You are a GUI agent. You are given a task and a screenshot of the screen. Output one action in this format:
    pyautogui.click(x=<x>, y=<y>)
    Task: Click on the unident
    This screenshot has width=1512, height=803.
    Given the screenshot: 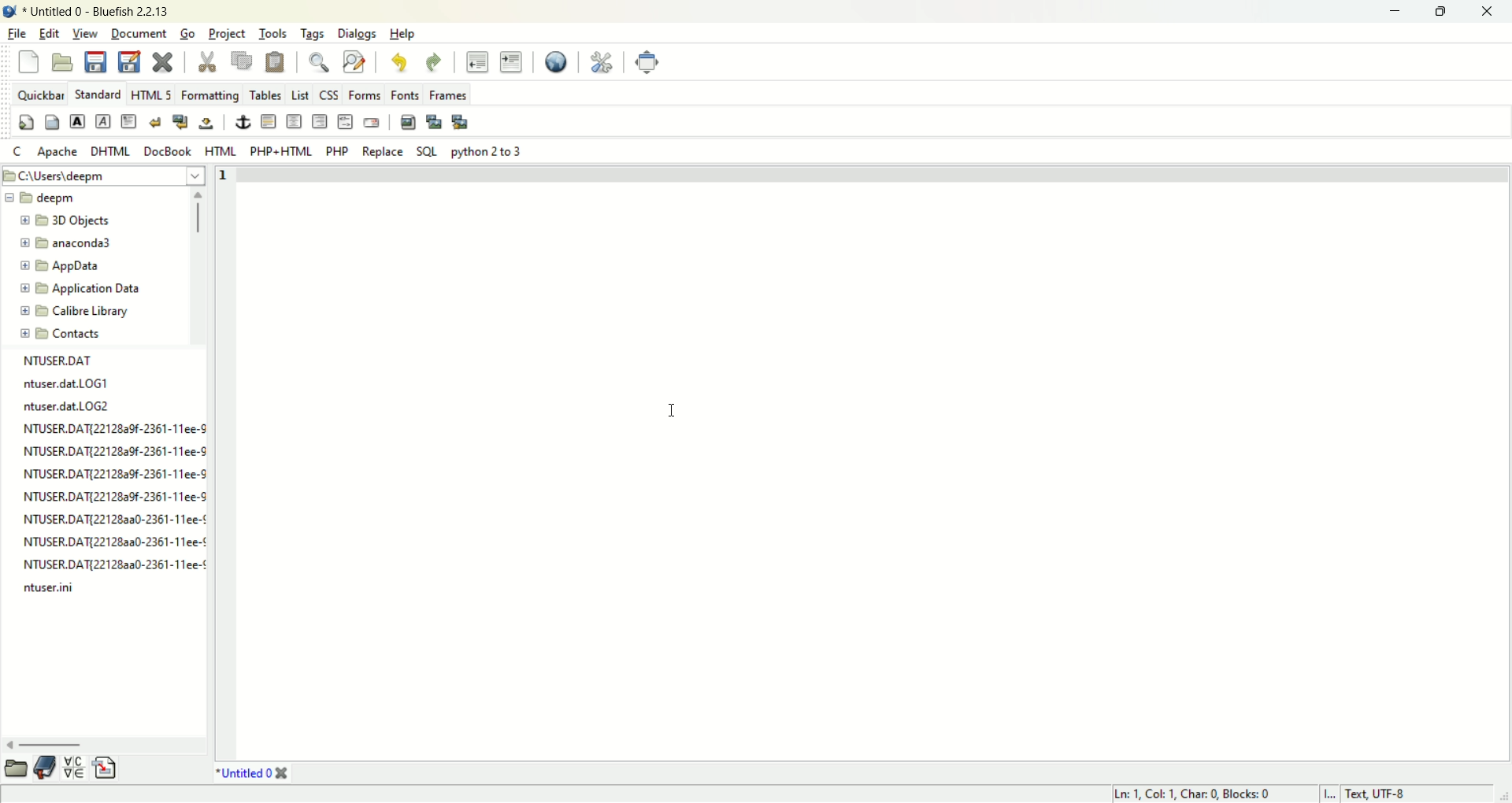 What is the action you would take?
    pyautogui.click(x=476, y=62)
    